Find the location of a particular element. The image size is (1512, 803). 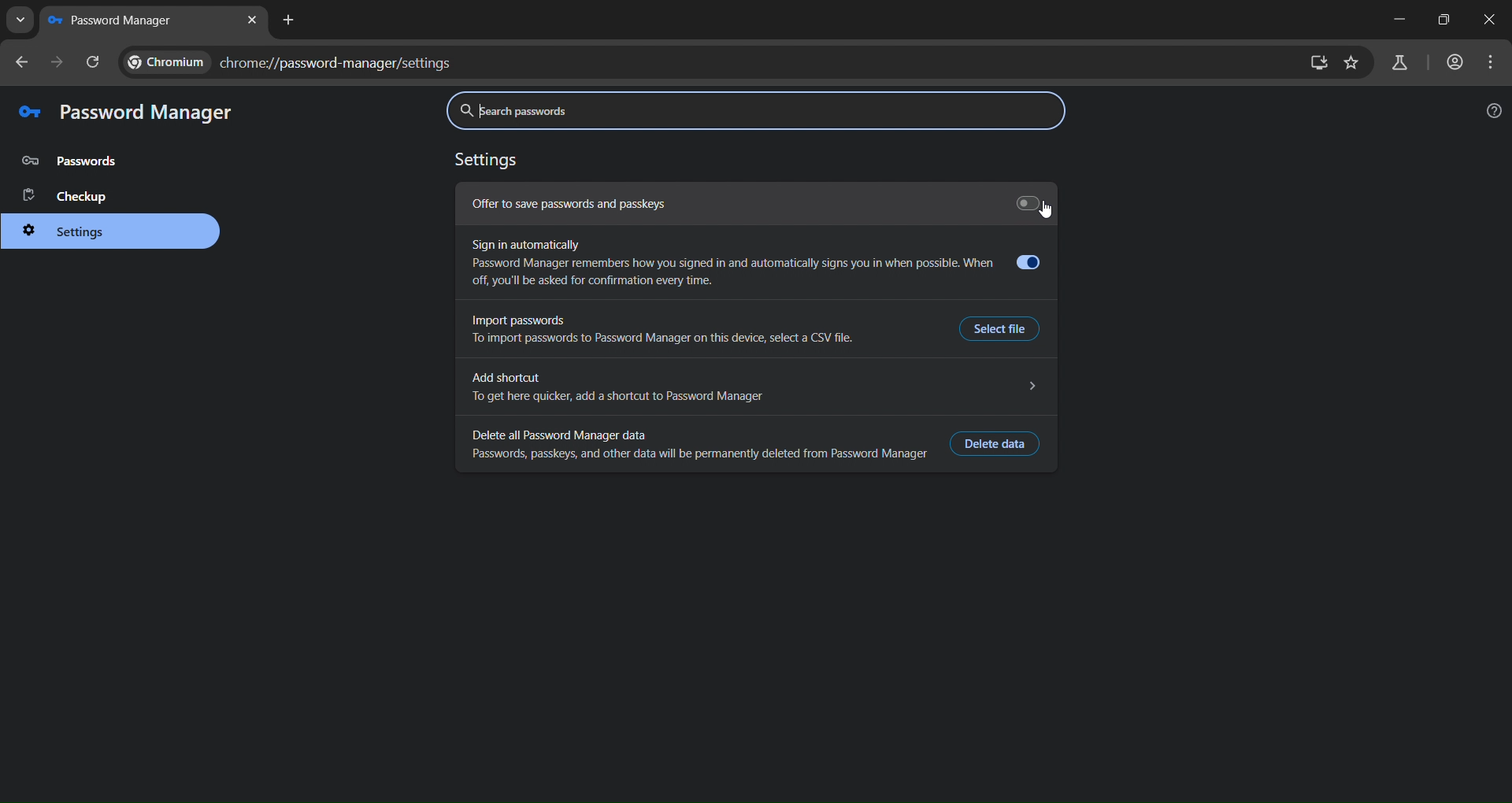

settings is located at coordinates (491, 159).